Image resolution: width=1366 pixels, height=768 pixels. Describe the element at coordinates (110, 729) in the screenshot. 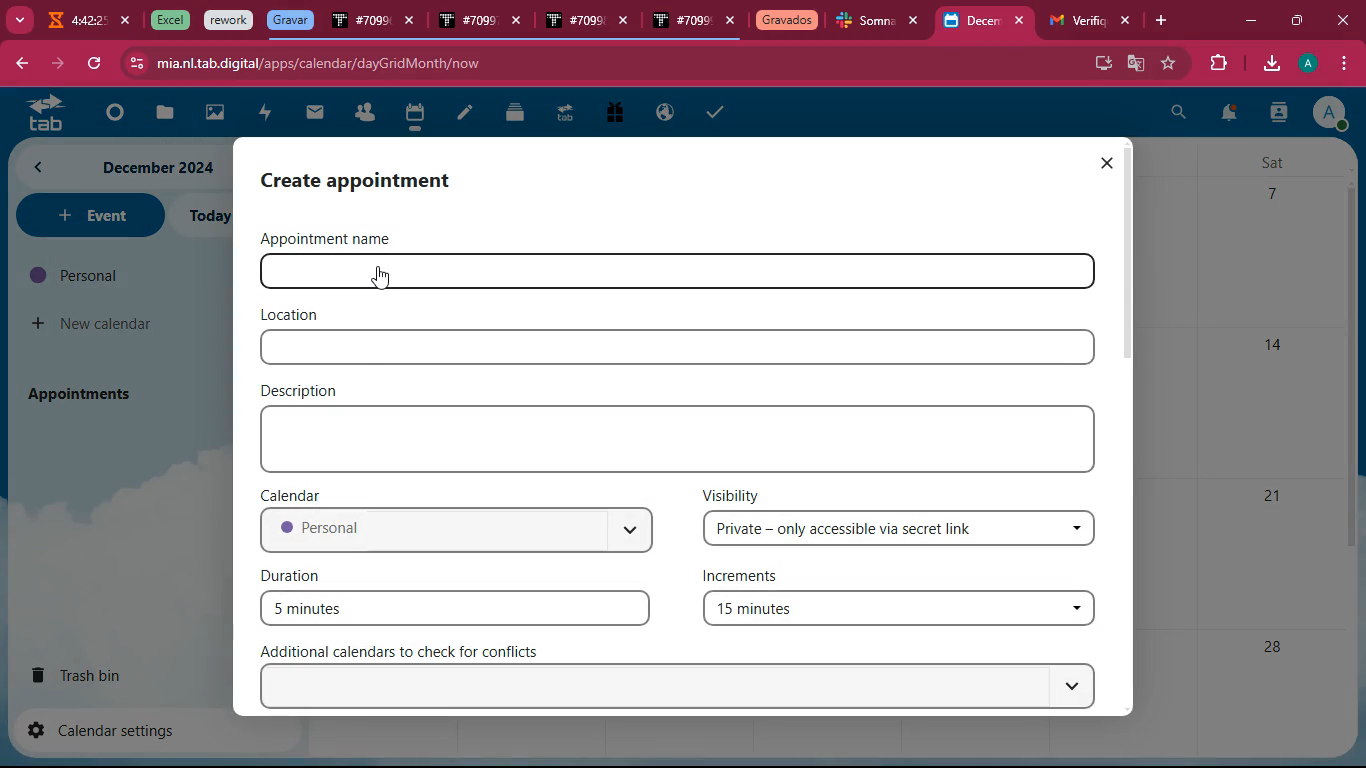

I see `calendar settings` at that location.